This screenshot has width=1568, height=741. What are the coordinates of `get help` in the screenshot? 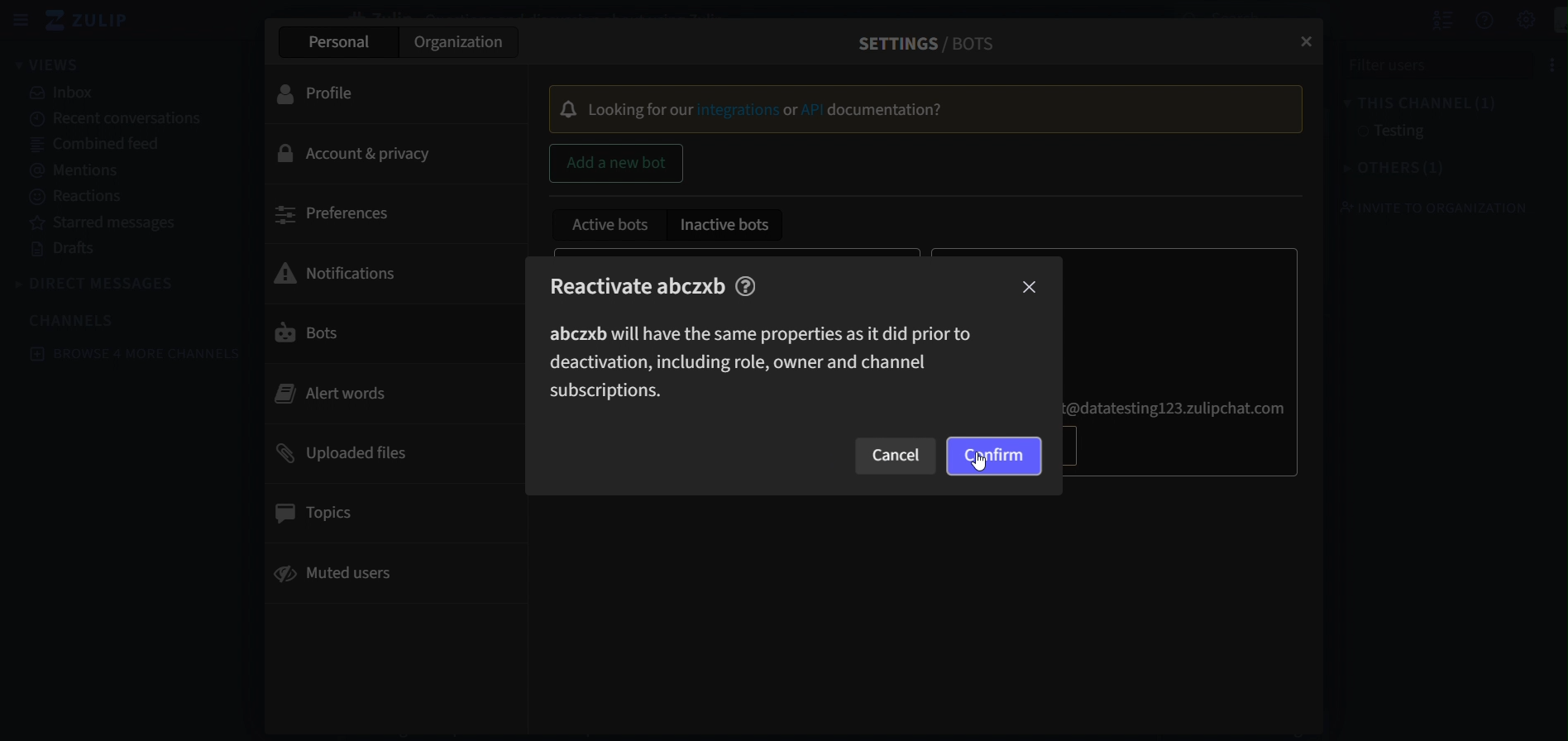 It's located at (1469, 21).